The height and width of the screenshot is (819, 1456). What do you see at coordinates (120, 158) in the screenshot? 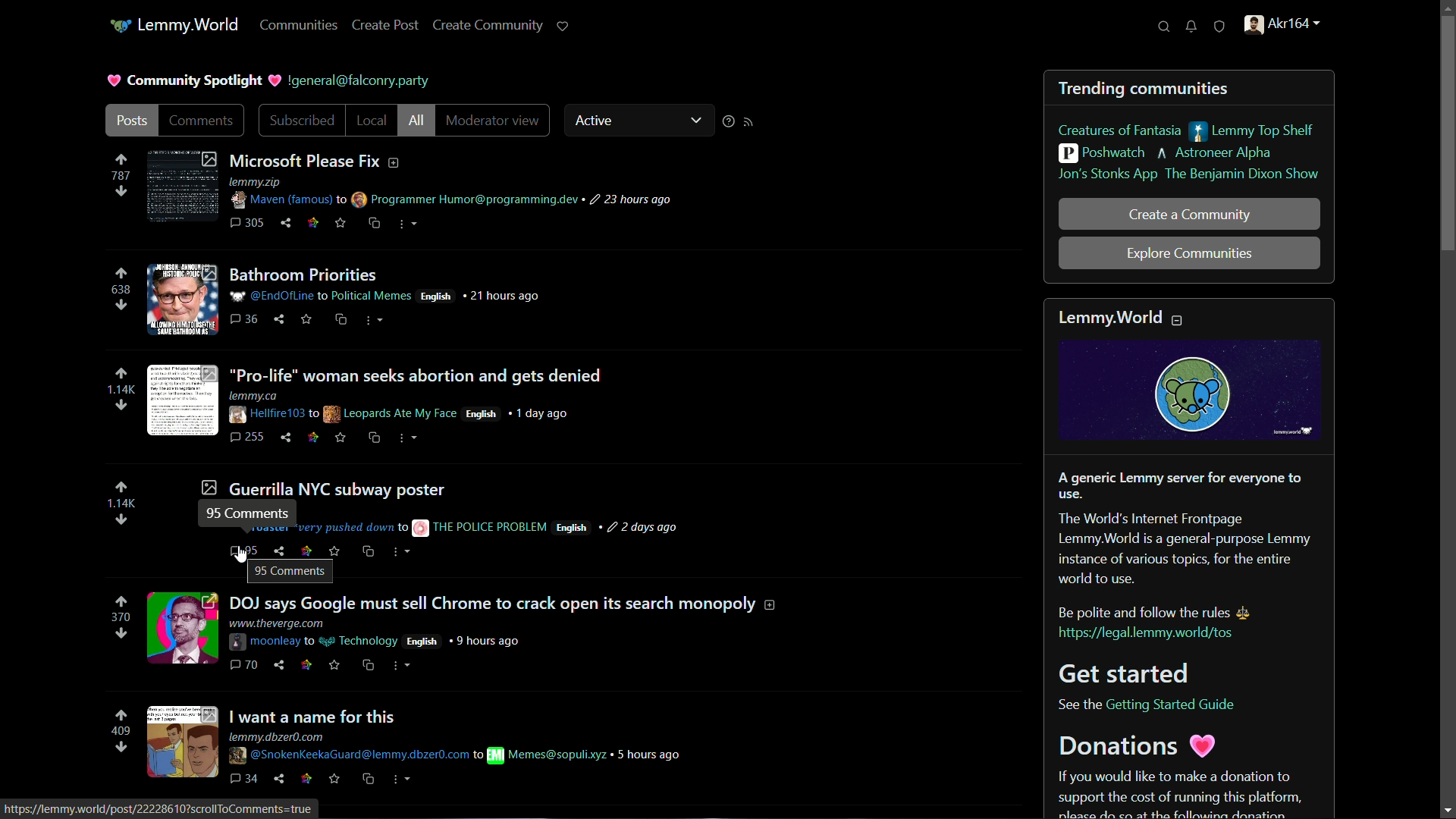
I see `upvote` at bounding box center [120, 158].